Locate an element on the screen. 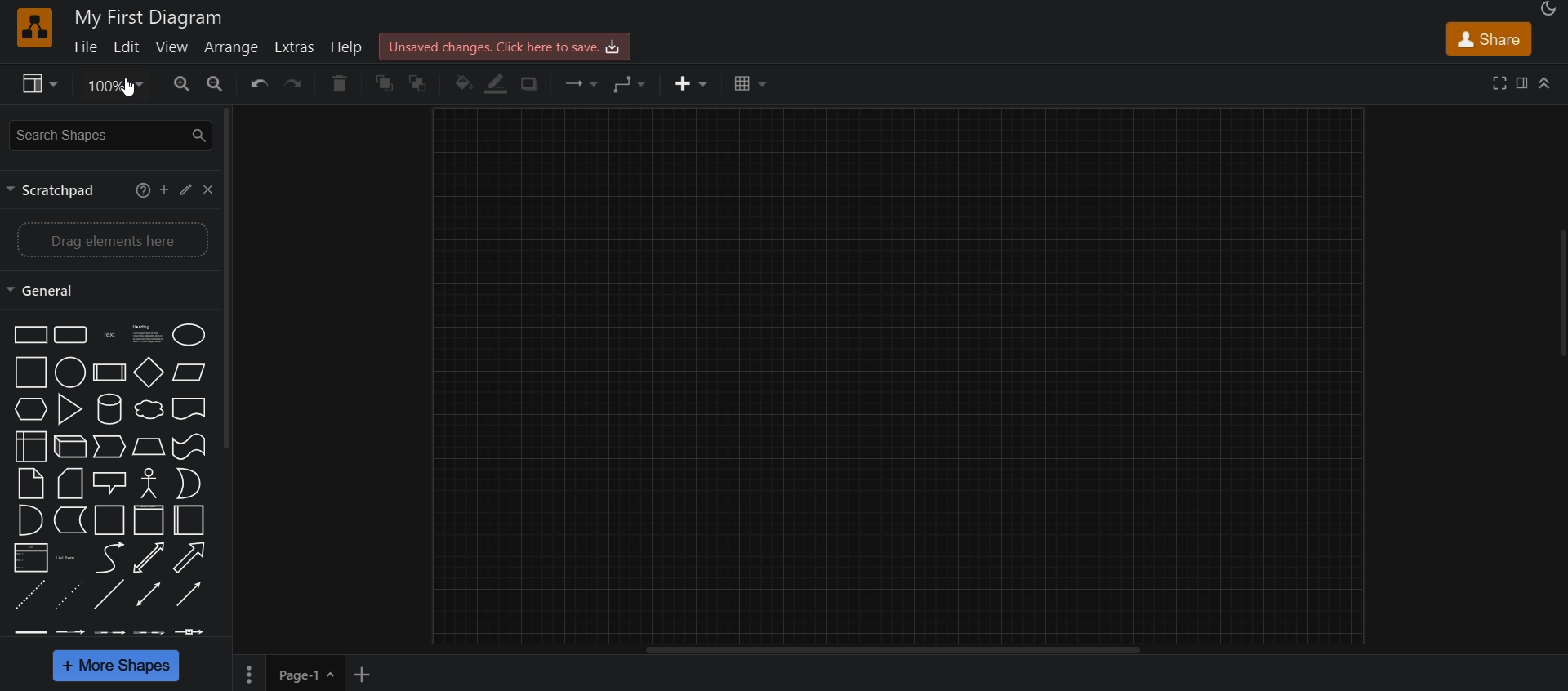 This screenshot has height=691, width=1568. view is located at coordinates (37, 86).